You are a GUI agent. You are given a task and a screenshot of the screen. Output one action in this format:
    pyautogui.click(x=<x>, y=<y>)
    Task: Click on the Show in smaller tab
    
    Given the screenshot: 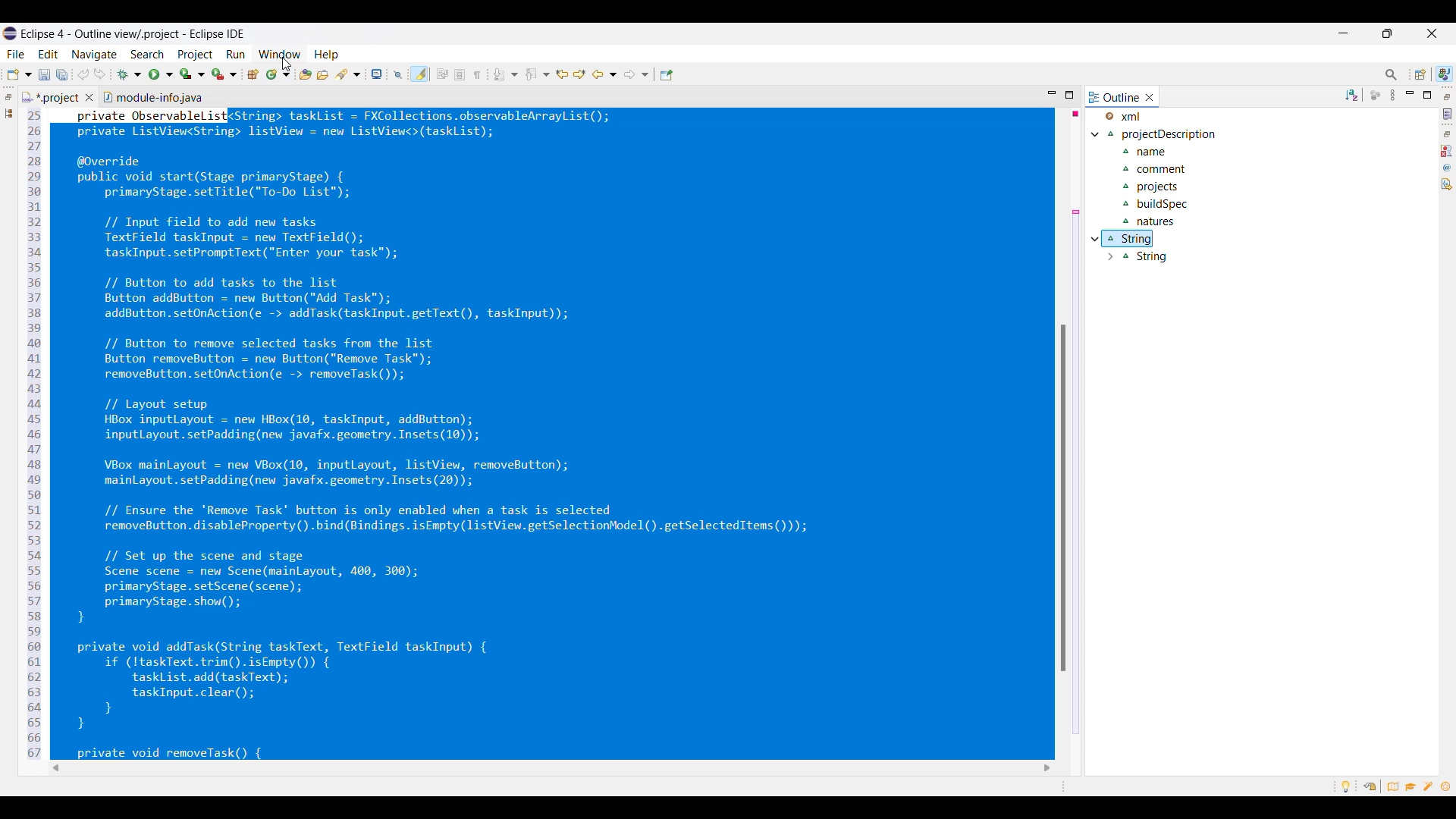 What is the action you would take?
    pyautogui.click(x=1387, y=33)
    